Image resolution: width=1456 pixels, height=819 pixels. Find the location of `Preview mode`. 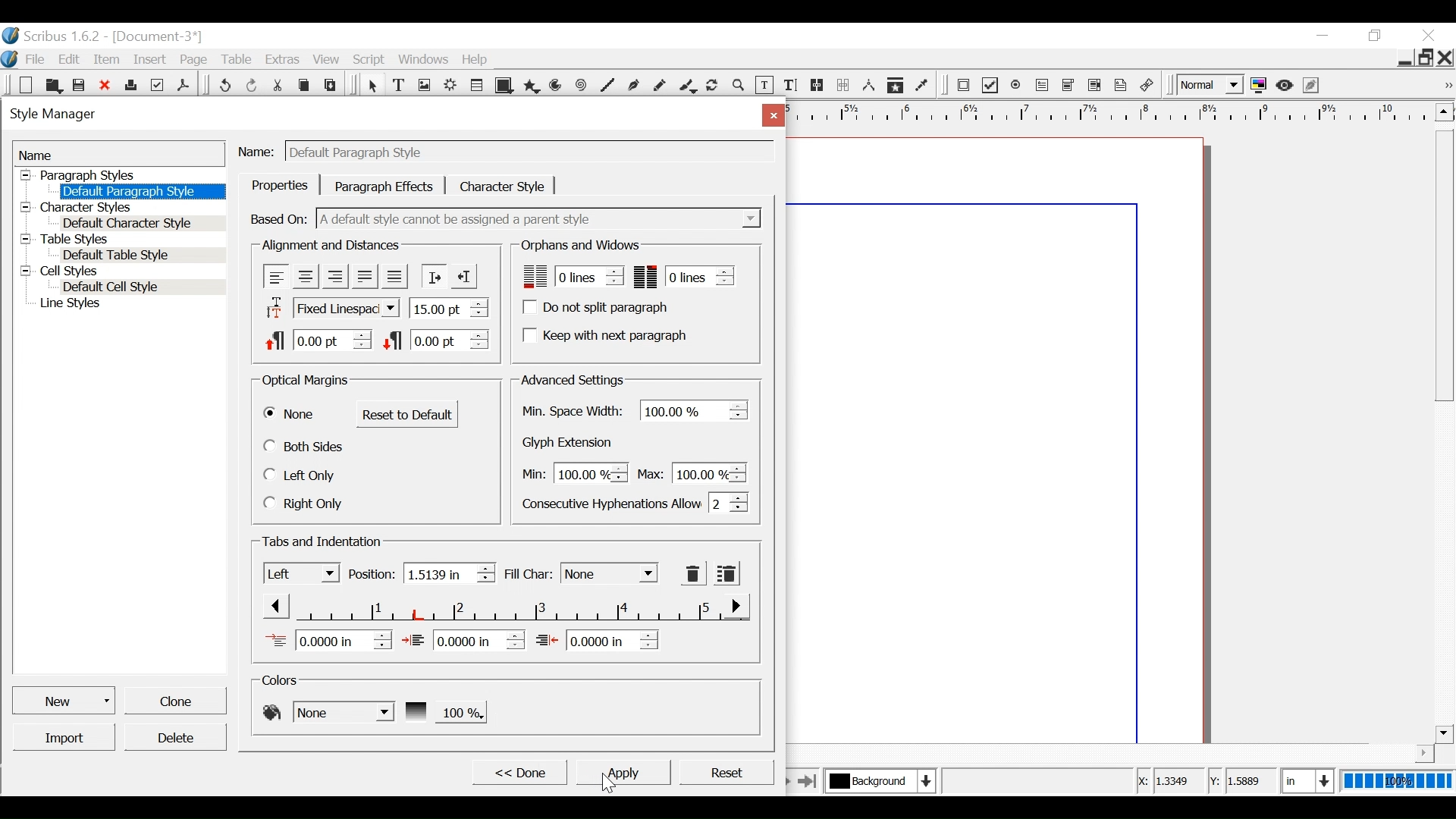

Preview mode is located at coordinates (1286, 85).